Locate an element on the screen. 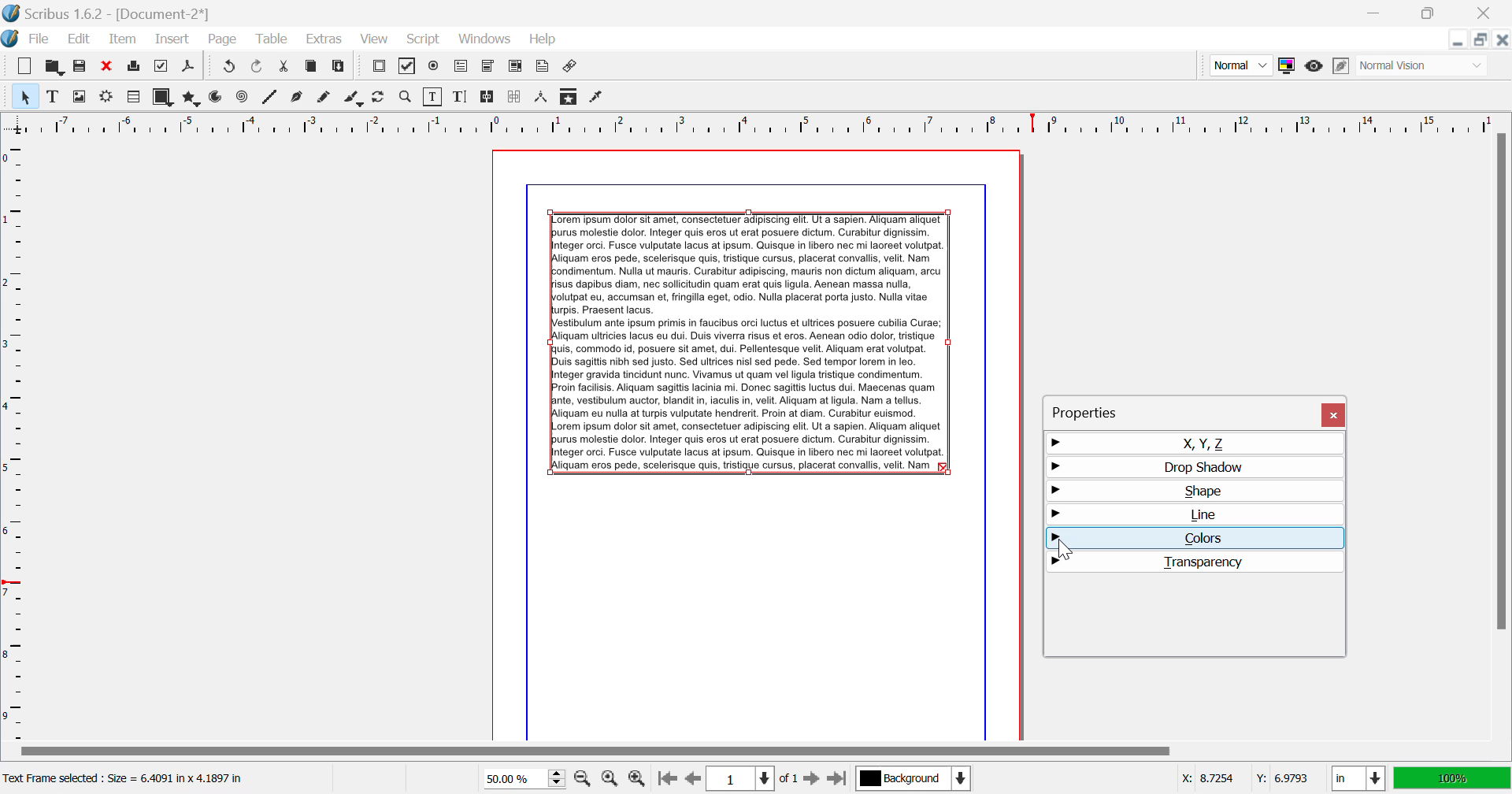  Background is located at coordinates (913, 780).